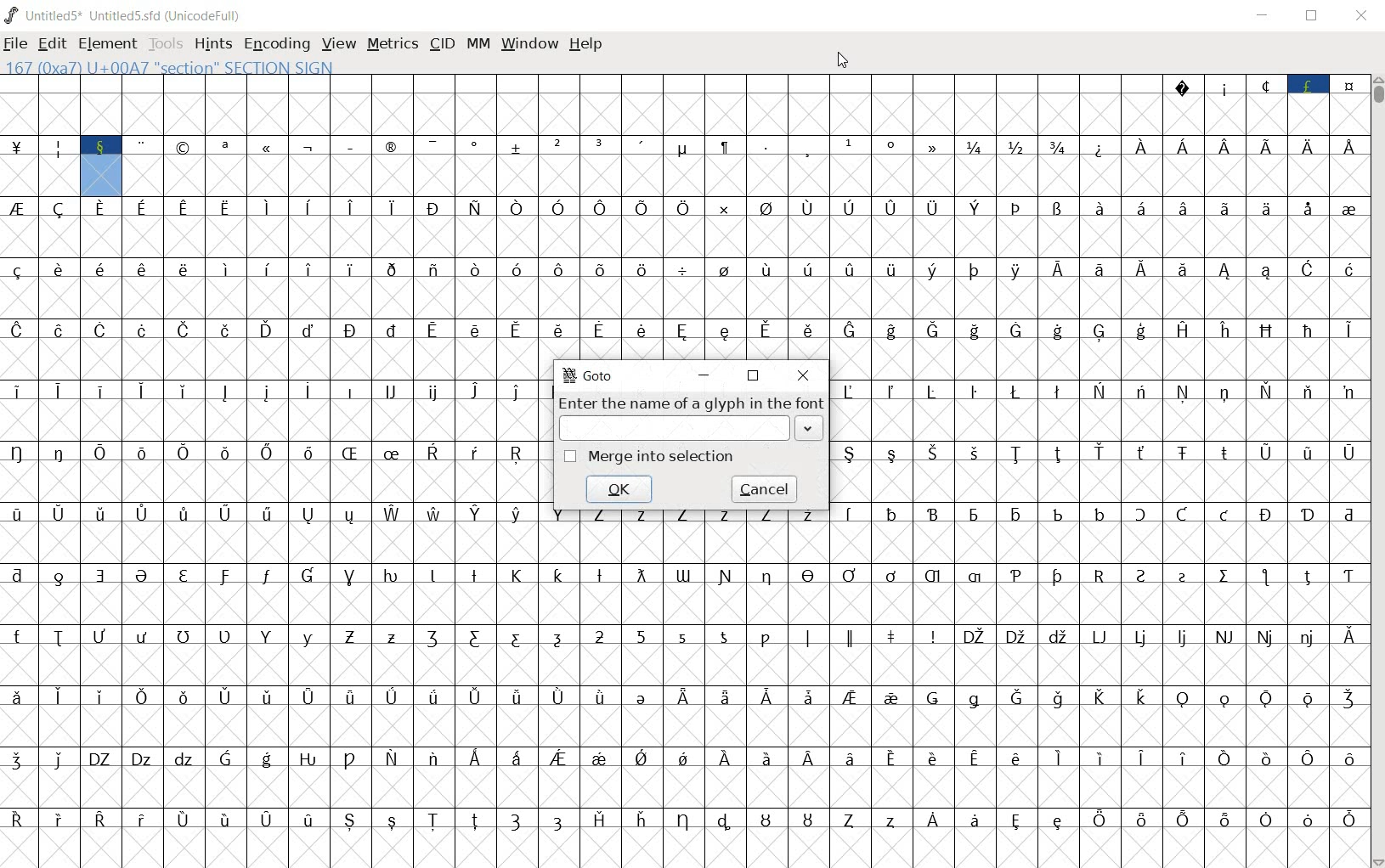 Image resolution: width=1385 pixels, height=868 pixels. I want to click on symbols, so click(391, 286).